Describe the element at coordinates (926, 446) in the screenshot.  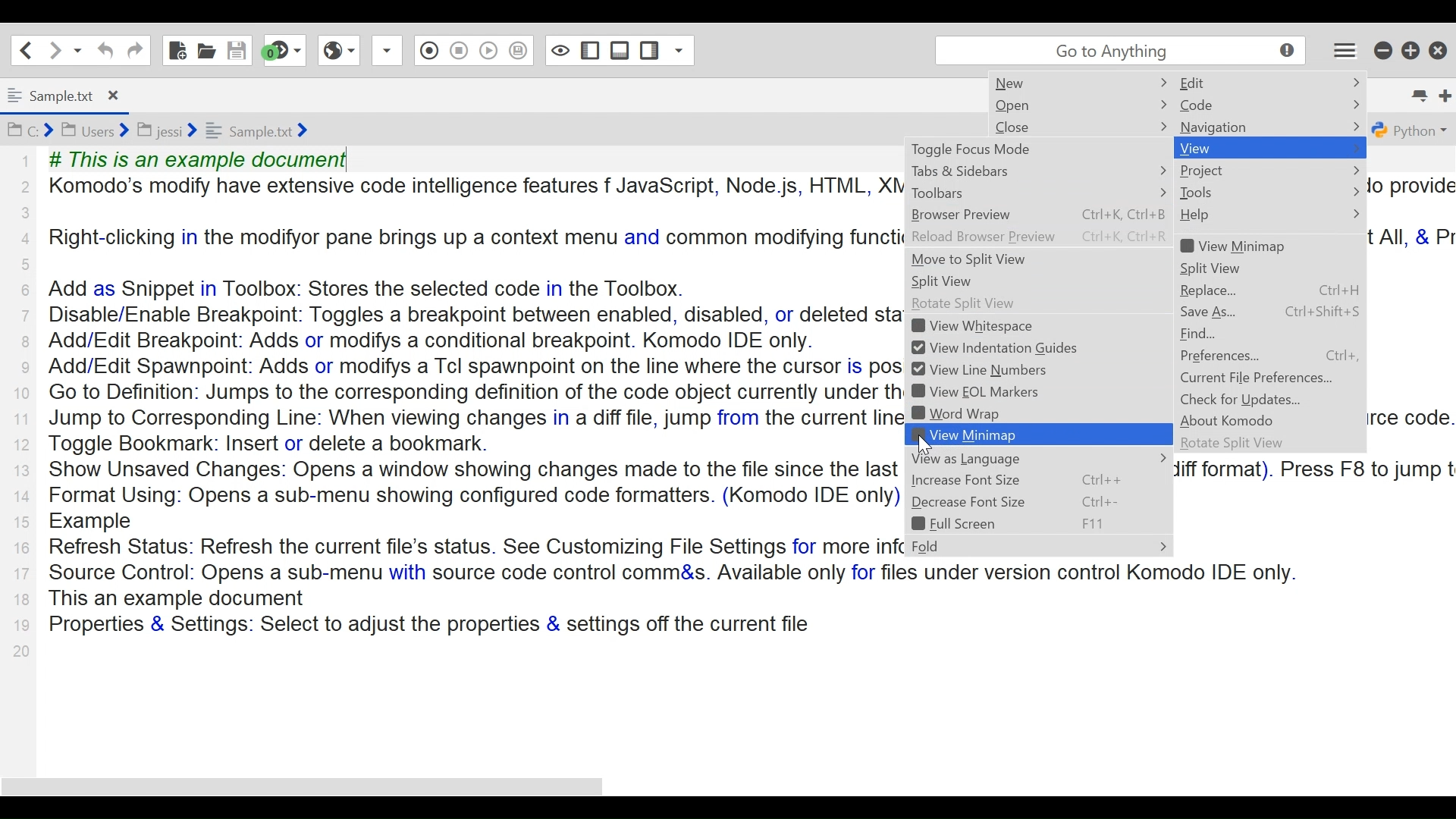
I see `Cursor` at that location.